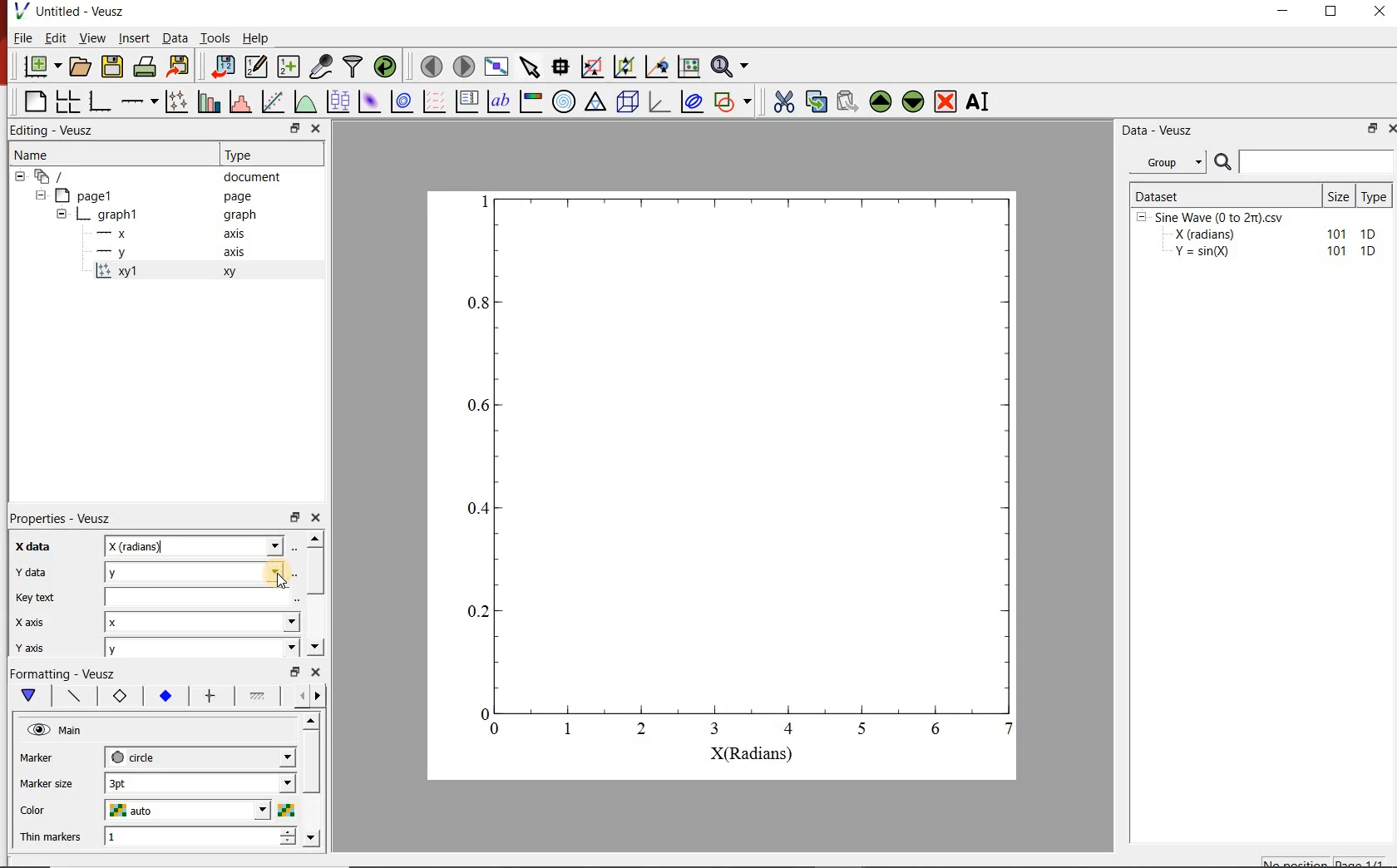  Describe the element at coordinates (243, 153) in the screenshot. I see `Type` at that location.